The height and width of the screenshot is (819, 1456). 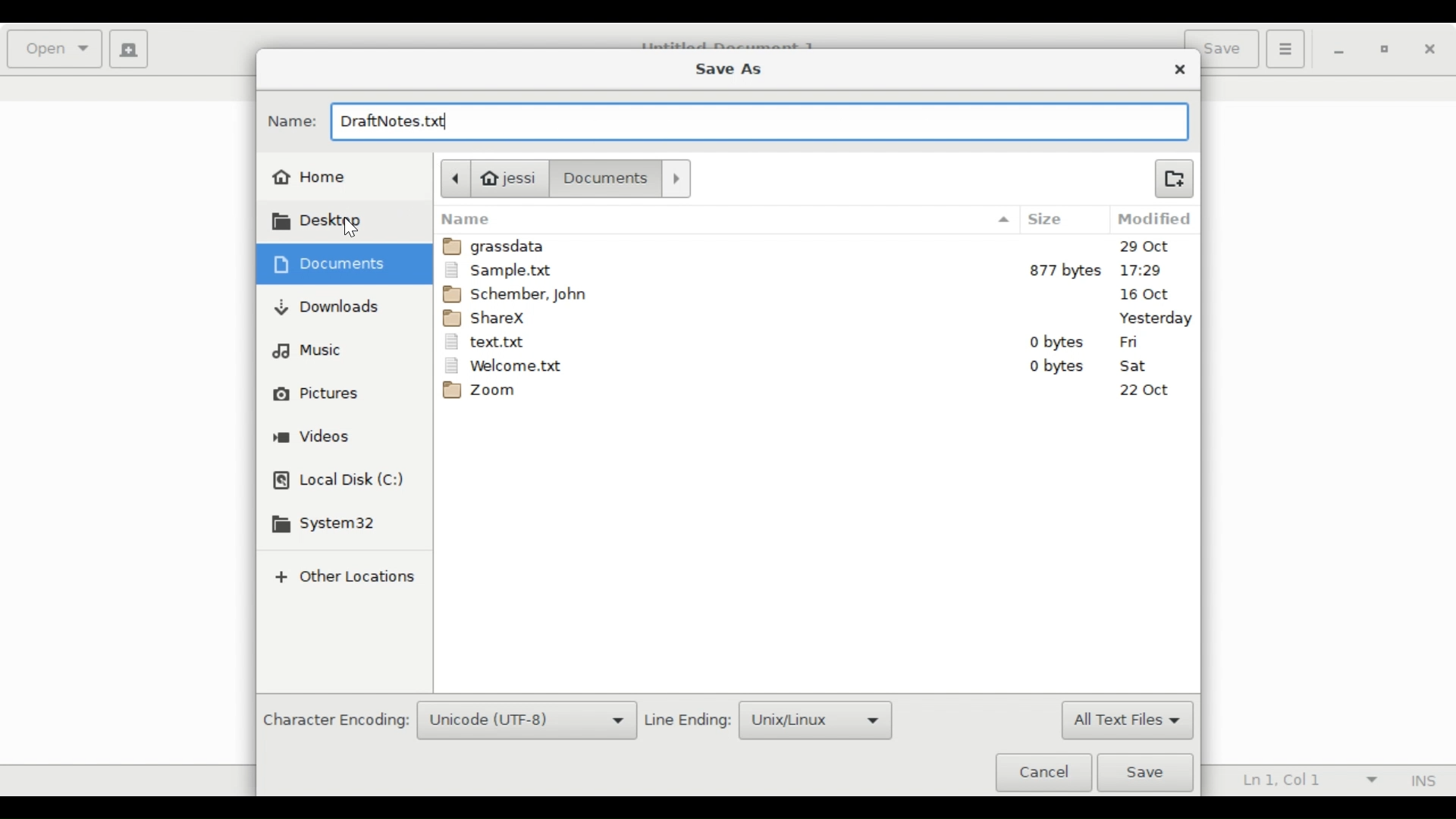 What do you see at coordinates (816, 270) in the screenshot?
I see `Sample.txt 877 bytes 17:29` at bounding box center [816, 270].